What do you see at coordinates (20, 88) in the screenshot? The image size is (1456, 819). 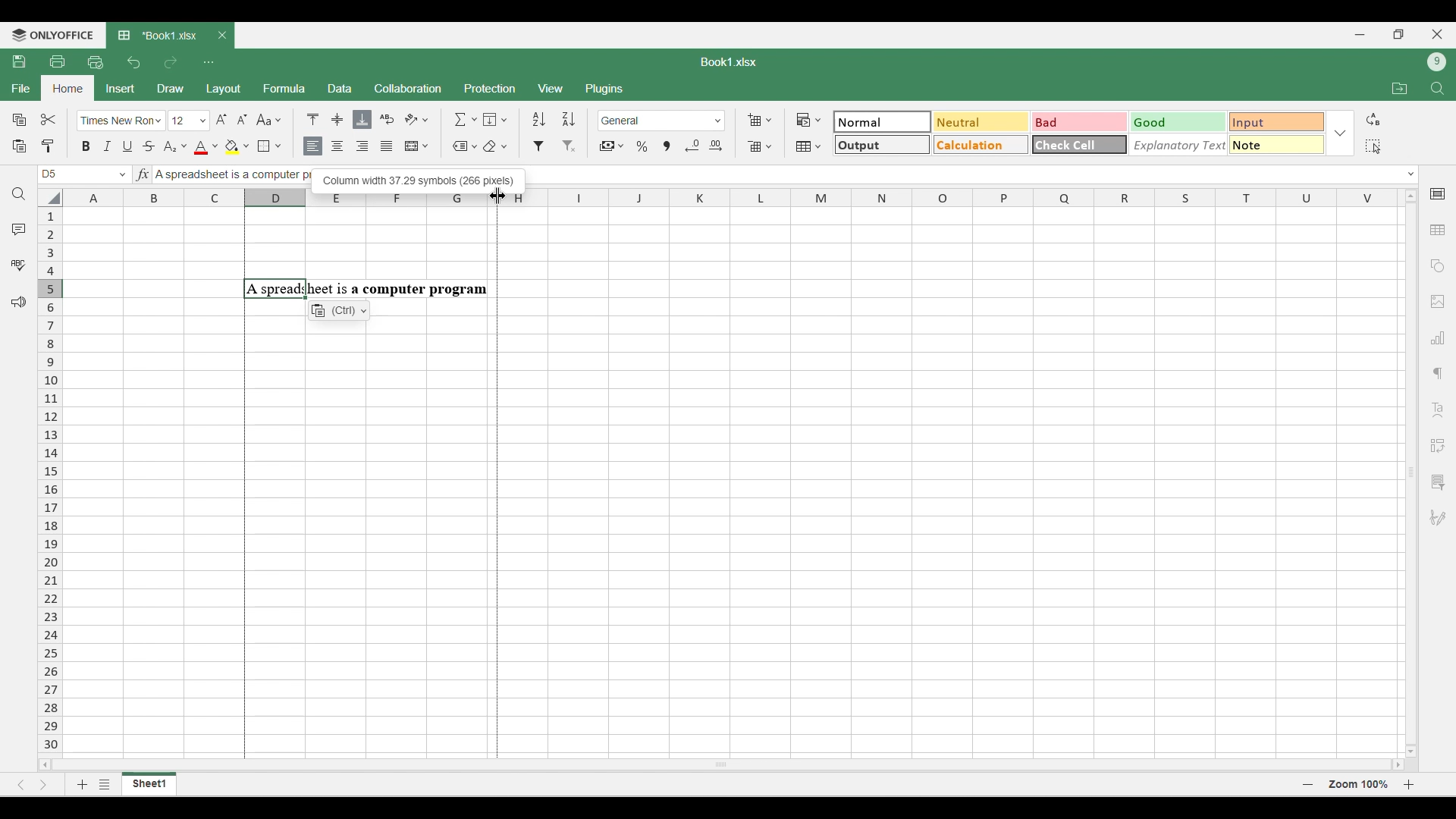 I see `File menu` at bounding box center [20, 88].